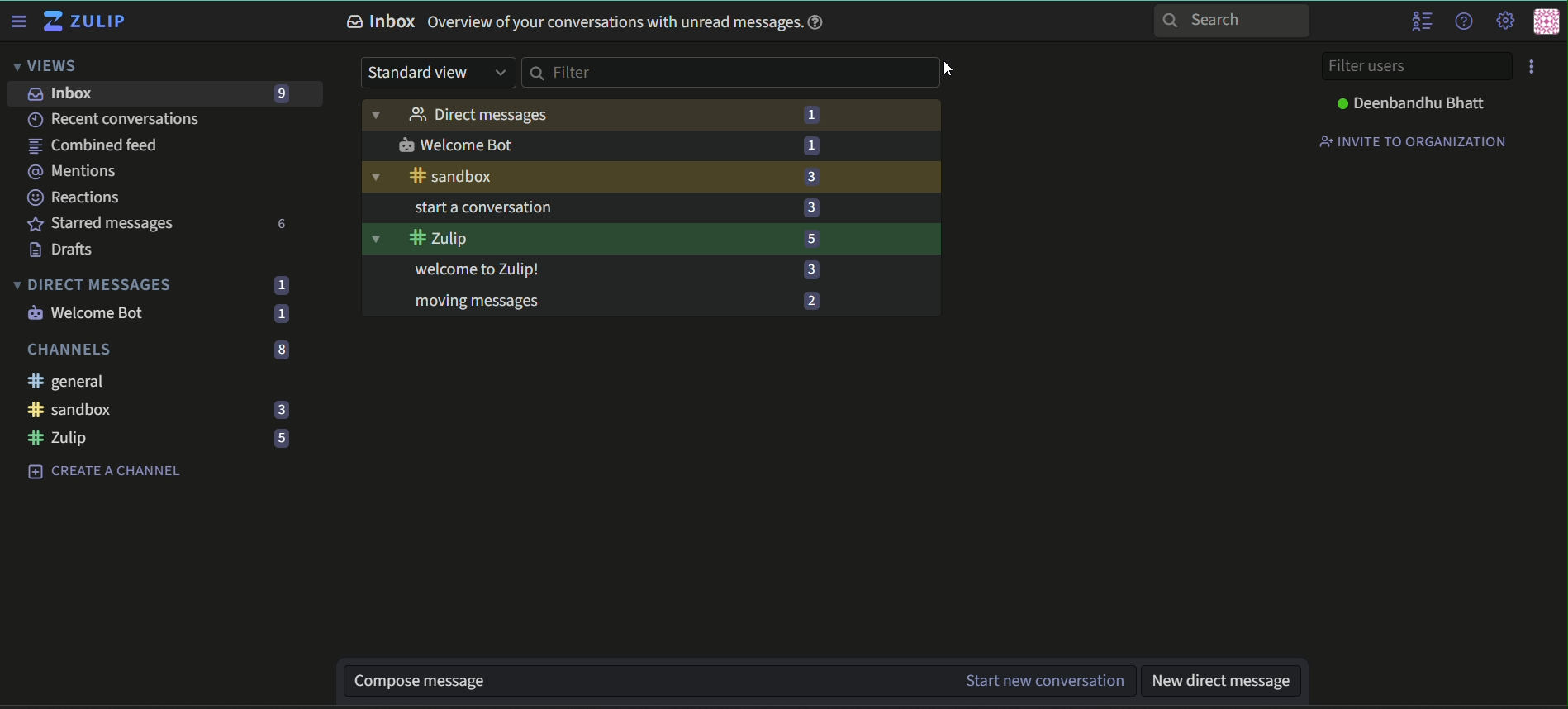 The width and height of the screenshot is (1568, 709). What do you see at coordinates (812, 300) in the screenshot?
I see `number` at bounding box center [812, 300].